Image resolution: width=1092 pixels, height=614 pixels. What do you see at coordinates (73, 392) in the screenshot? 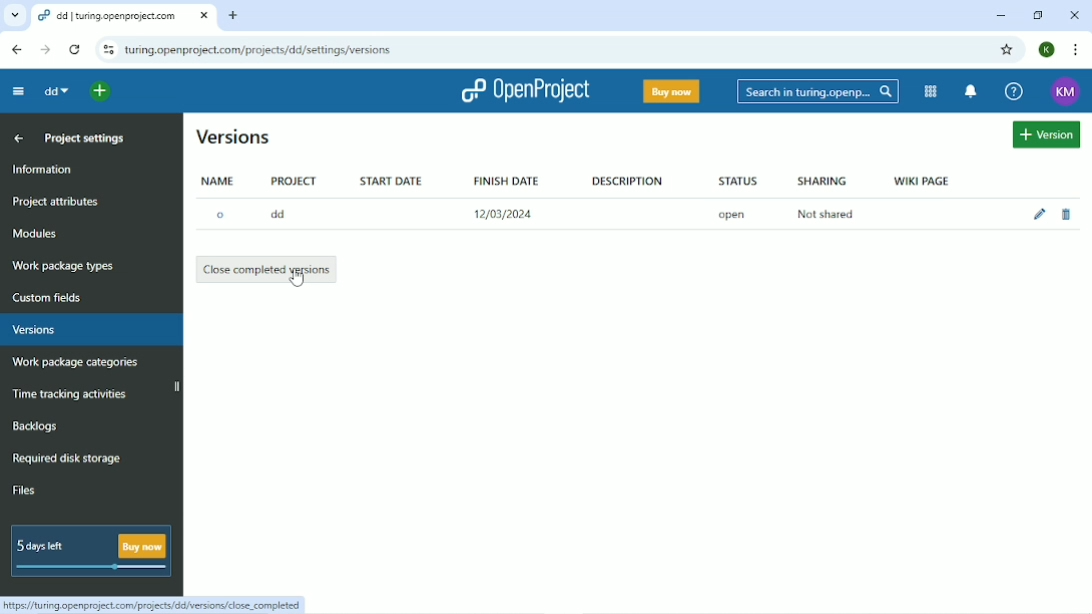
I see `Time tracking activities` at bounding box center [73, 392].